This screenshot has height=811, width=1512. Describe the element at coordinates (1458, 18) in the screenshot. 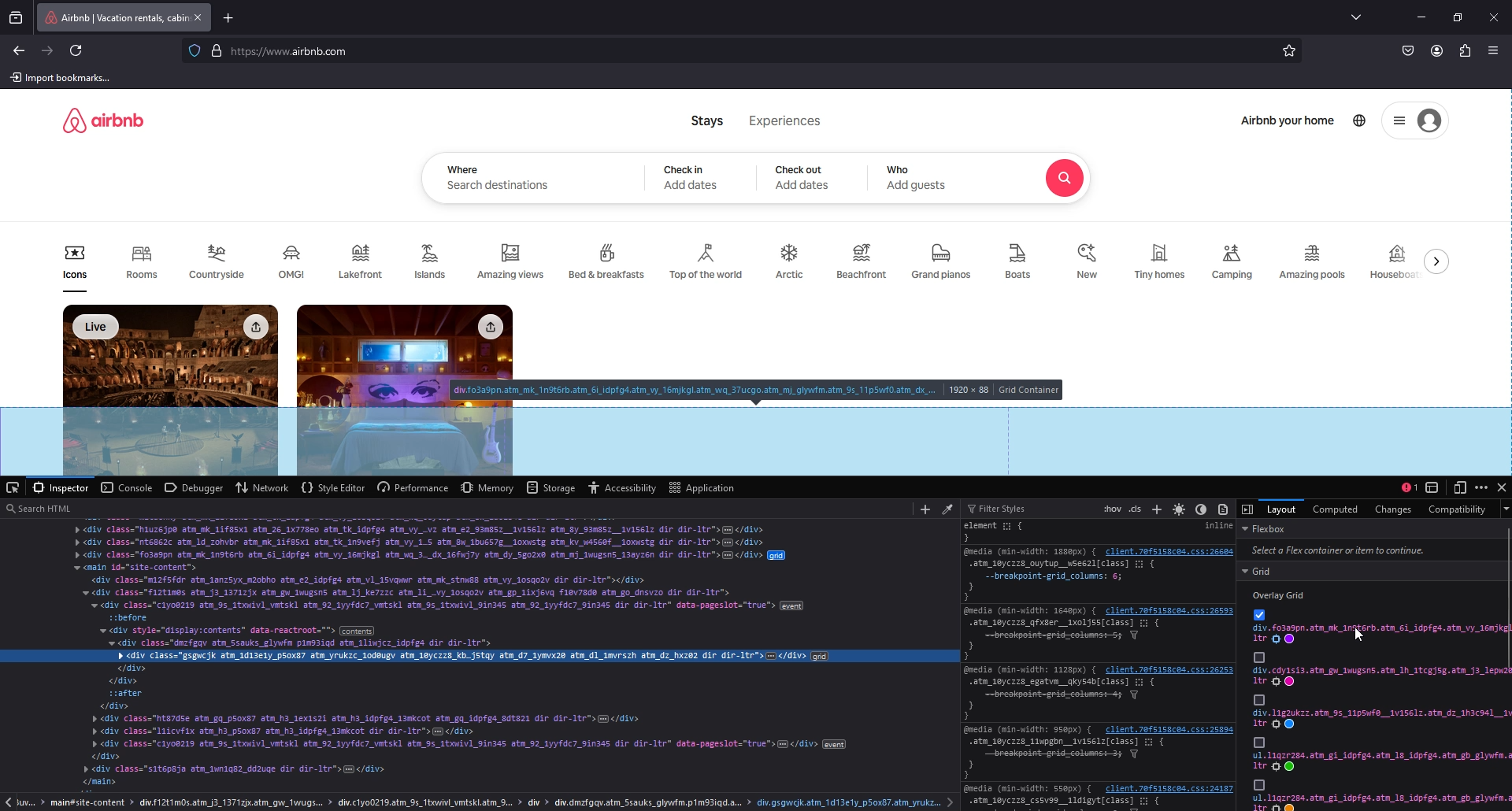

I see `resize` at that location.